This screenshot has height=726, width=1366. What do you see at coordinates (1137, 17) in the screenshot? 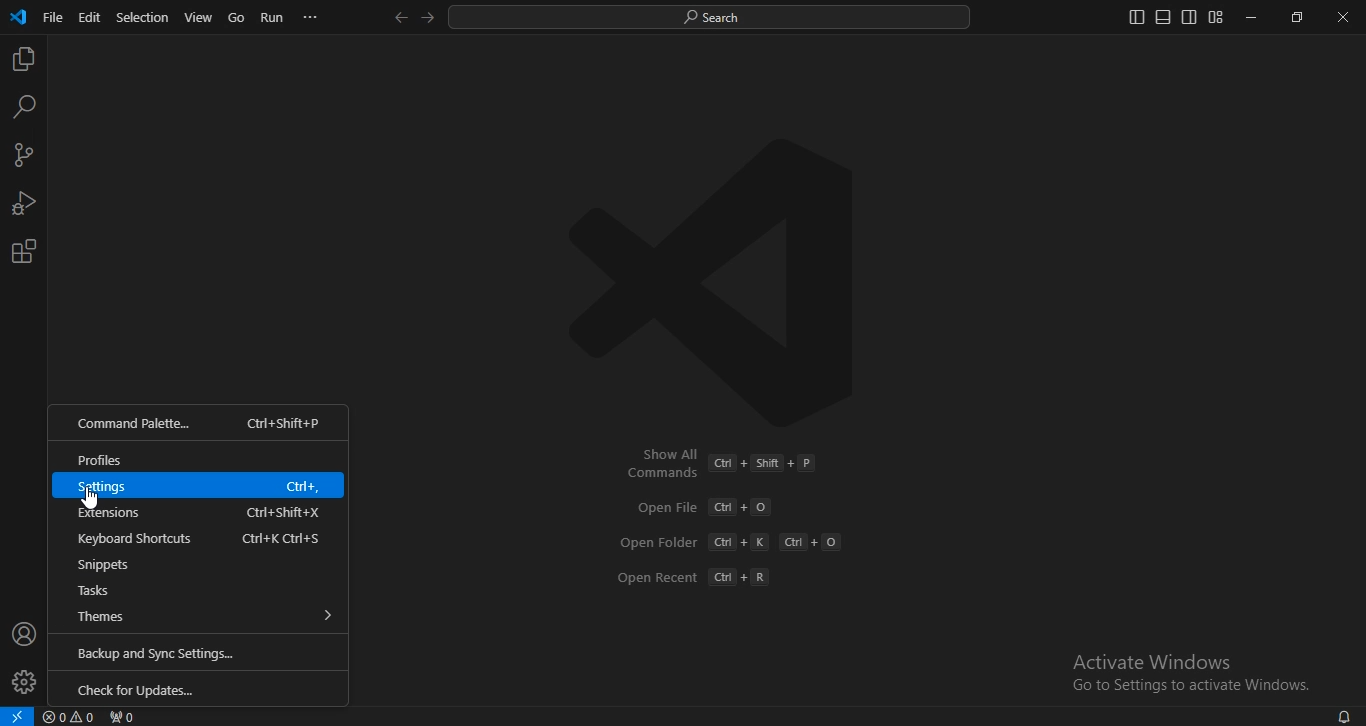
I see `toggle primary sidebar` at bounding box center [1137, 17].